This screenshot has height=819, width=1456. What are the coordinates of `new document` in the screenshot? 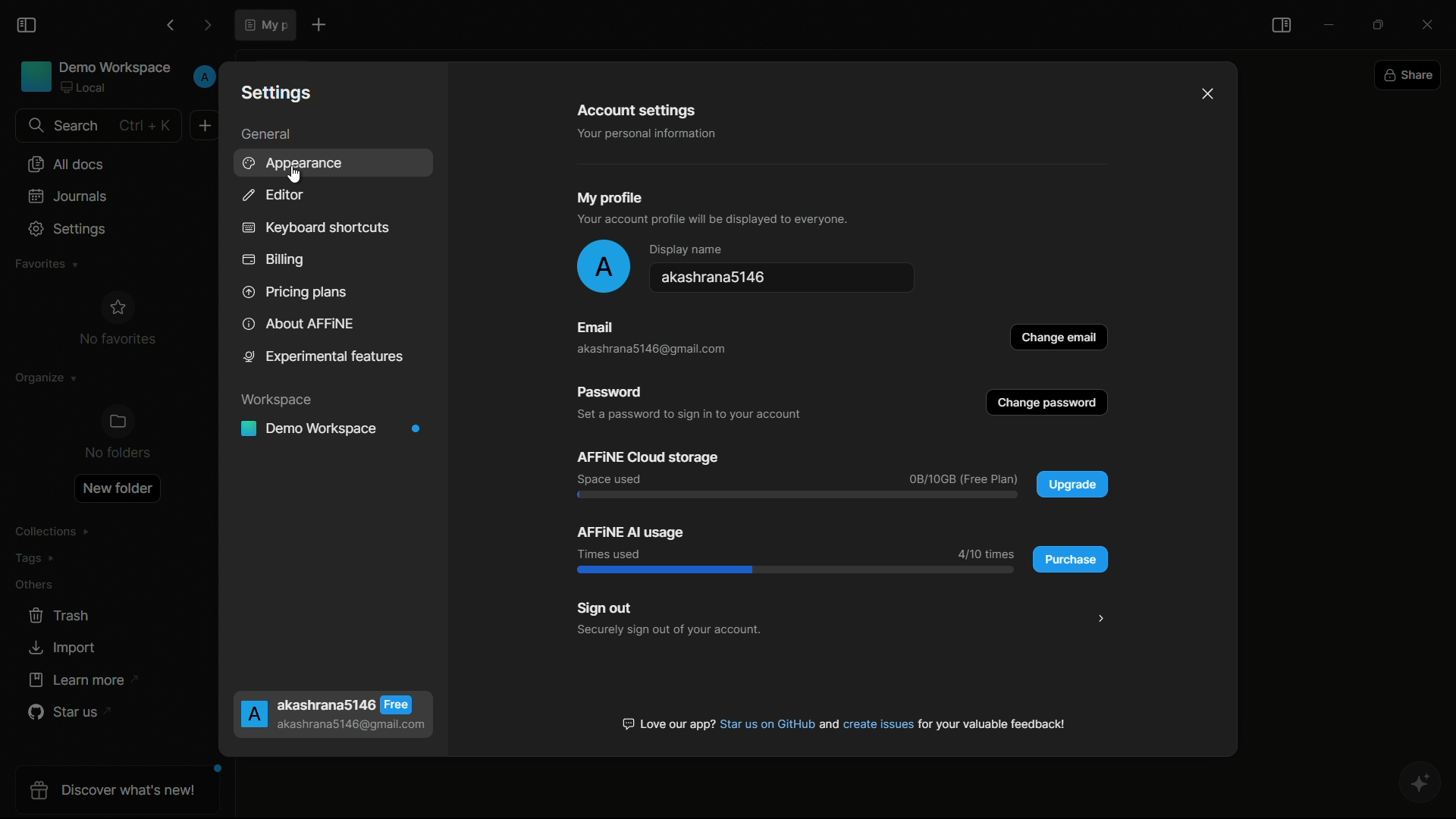 It's located at (206, 124).